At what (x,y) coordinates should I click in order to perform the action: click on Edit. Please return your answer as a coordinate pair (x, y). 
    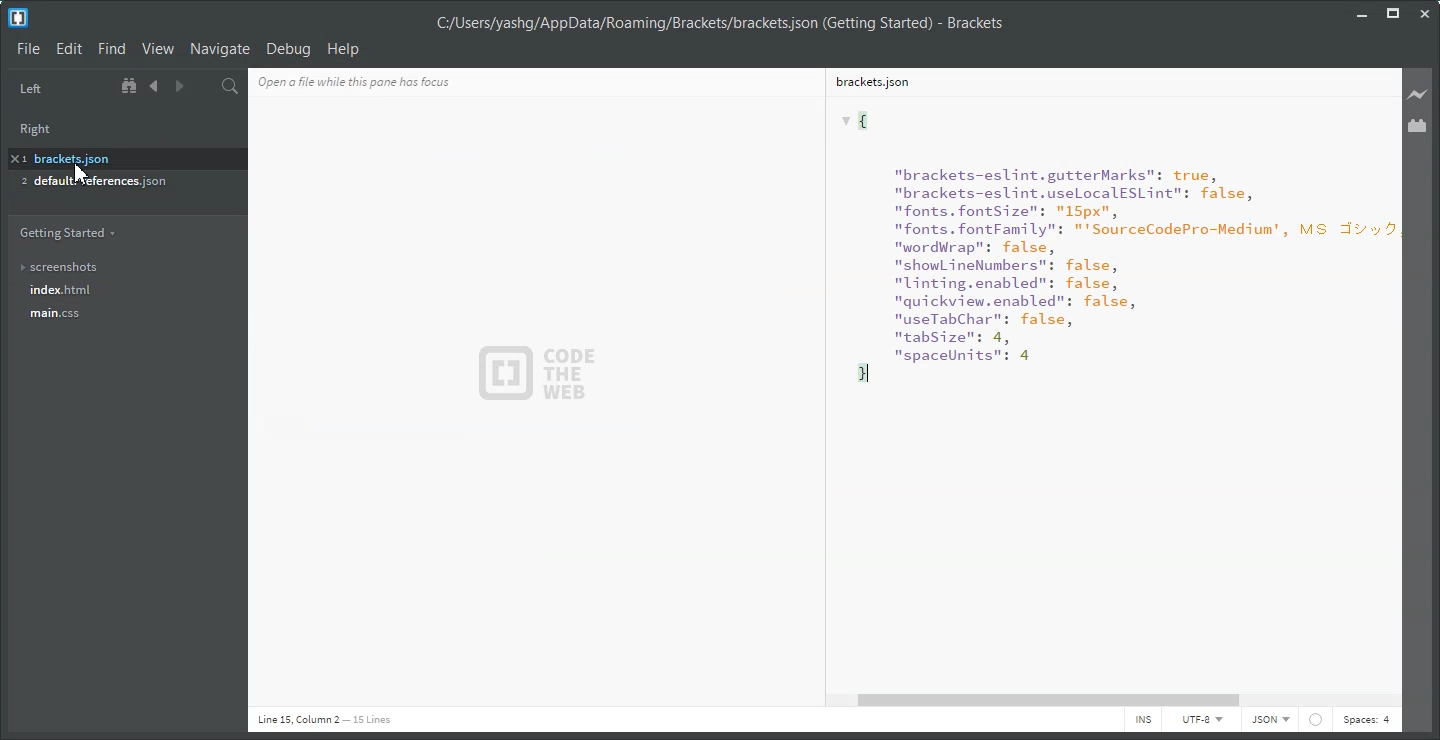
    Looking at the image, I should click on (70, 49).